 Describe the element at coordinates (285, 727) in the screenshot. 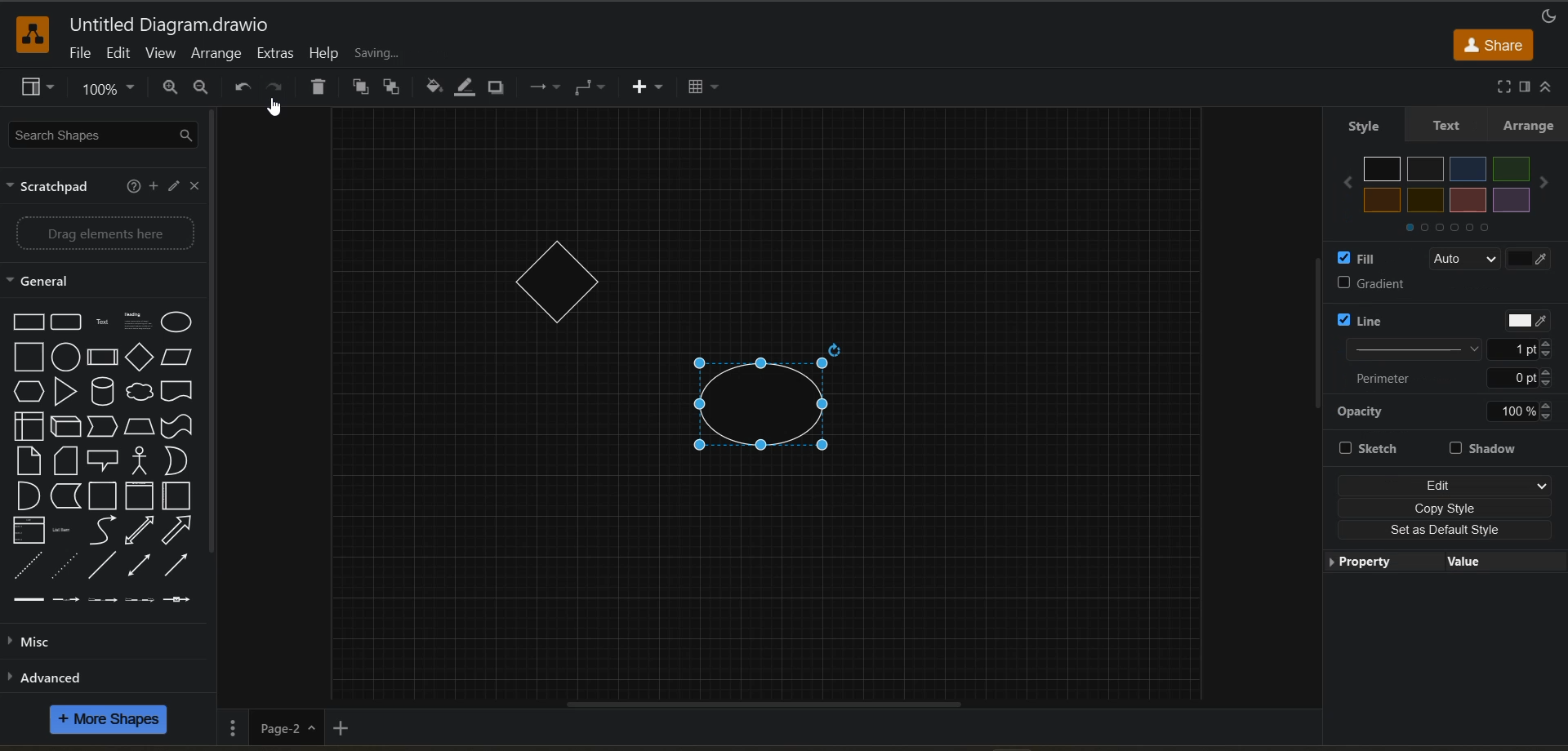

I see `page name` at that location.